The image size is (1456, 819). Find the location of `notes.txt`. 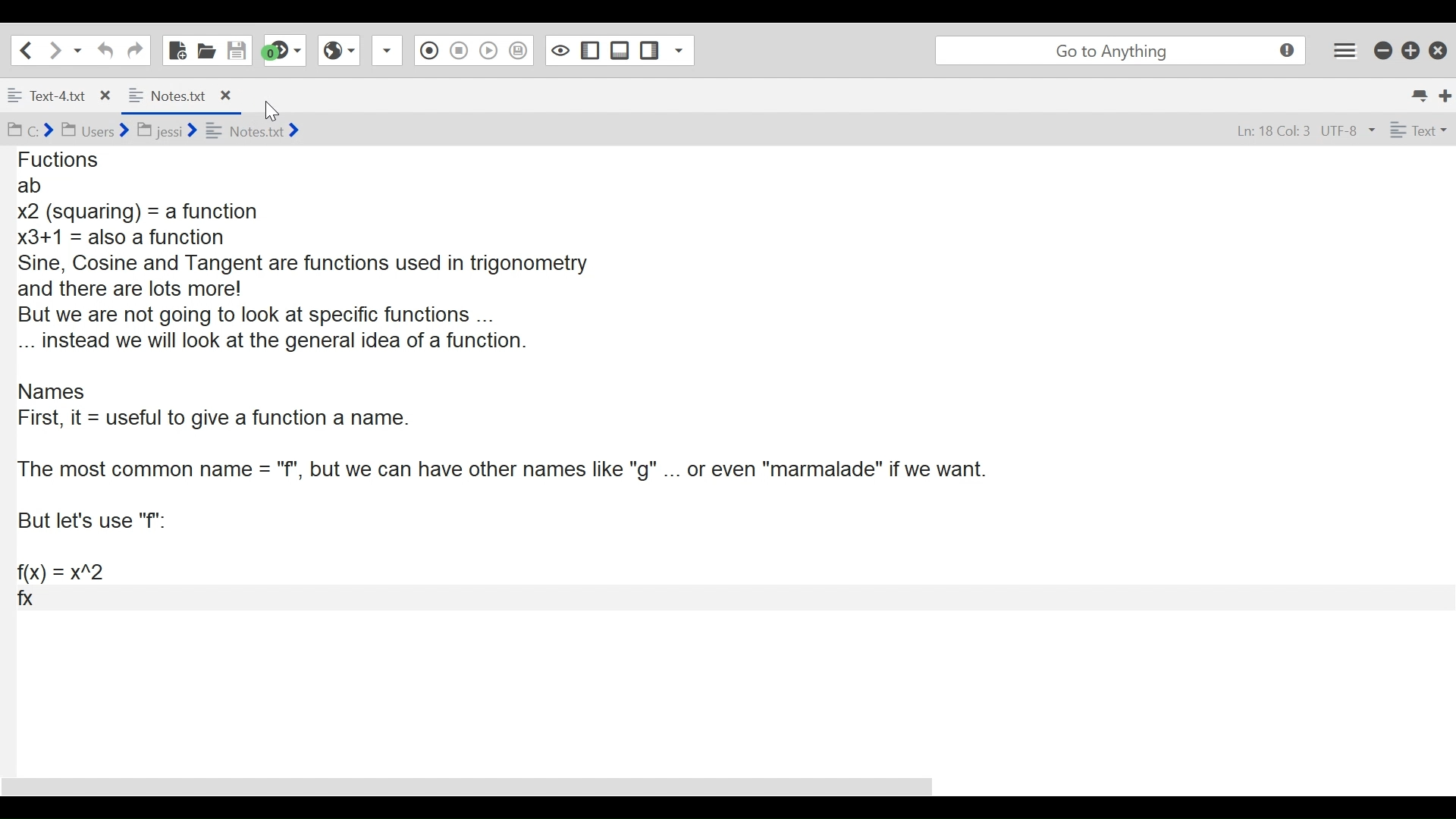

notes.txt is located at coordinates (168, 95).